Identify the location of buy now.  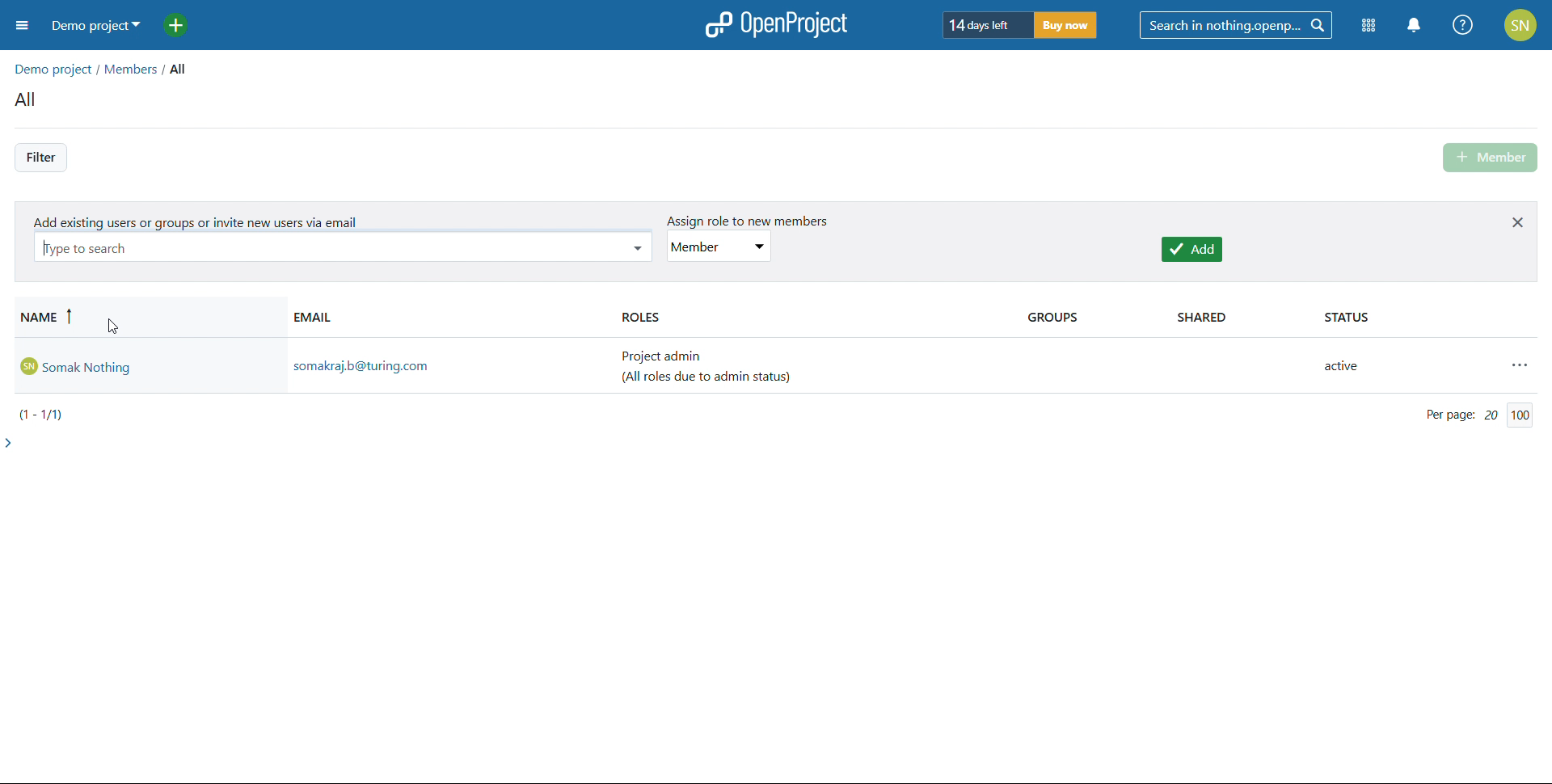
(1066, 24).